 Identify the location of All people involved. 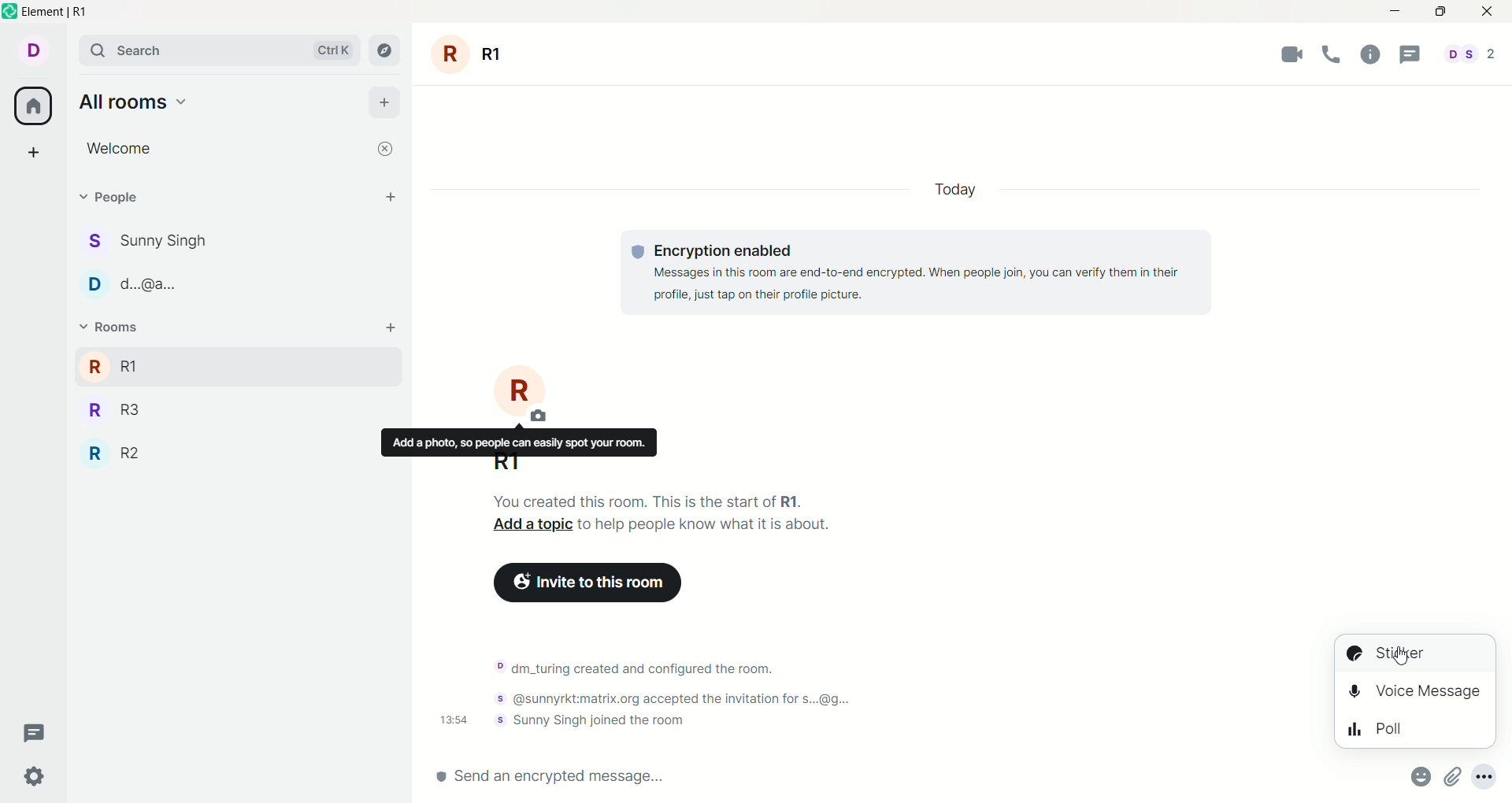
(1470, 54).